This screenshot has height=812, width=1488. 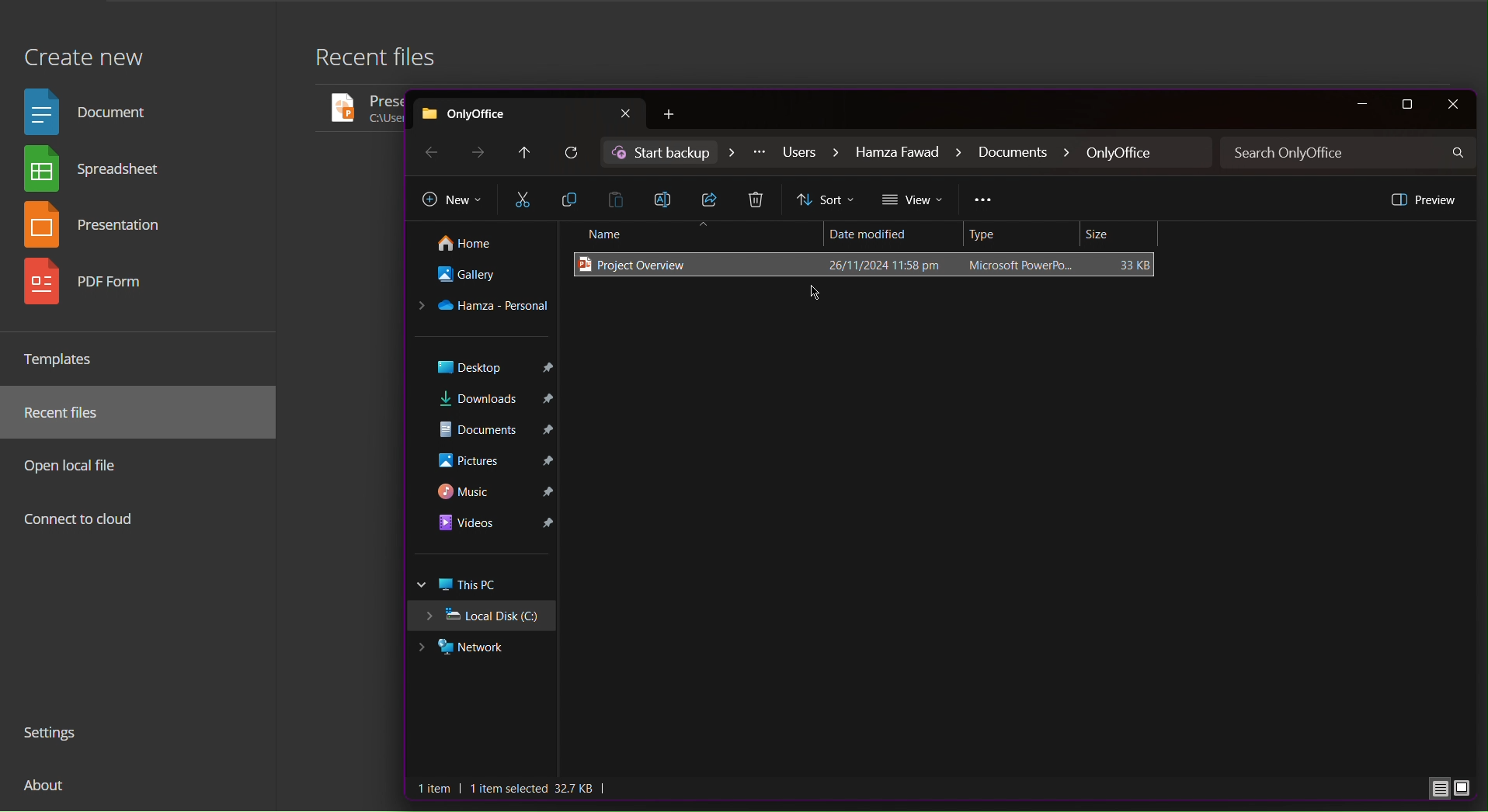 What do you see at coordinates (694, 234) in the screenshot?
I see `Name` at bounding box center [694, 234].